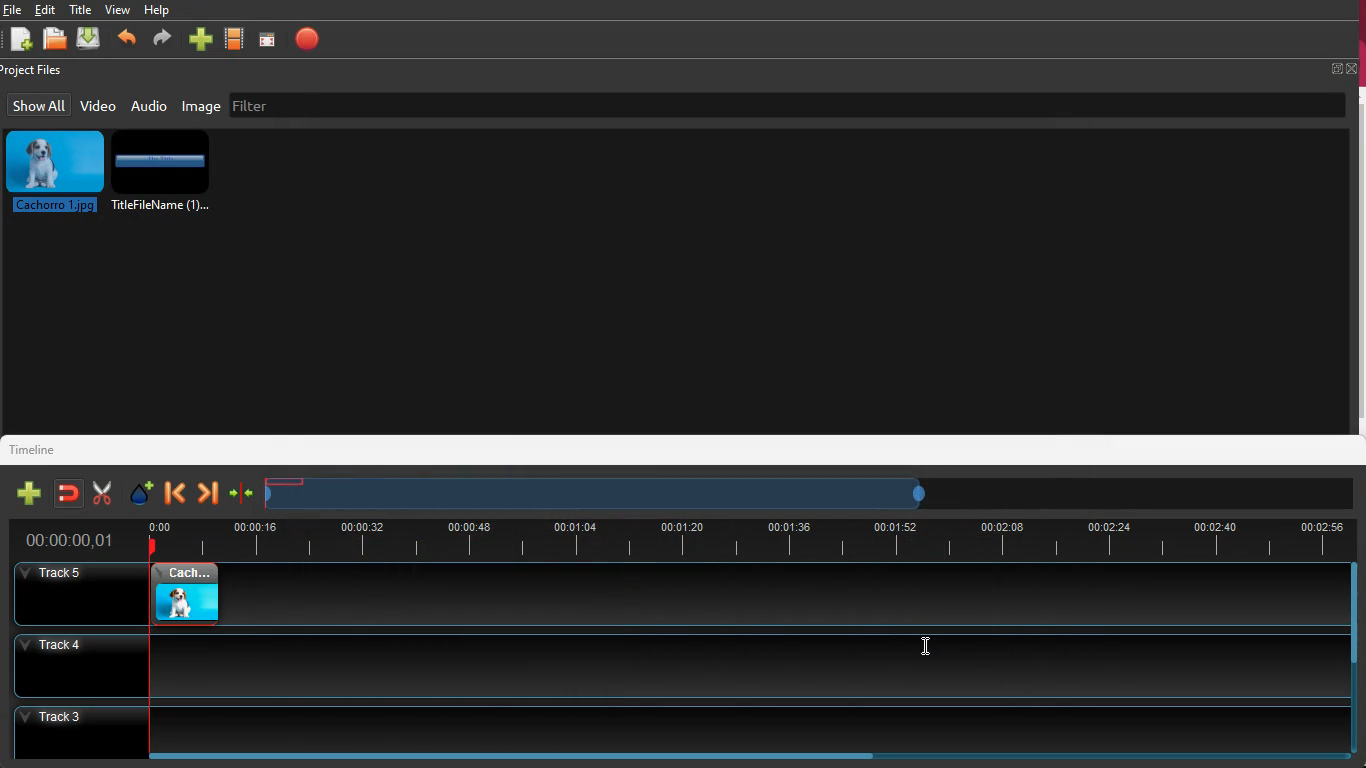 The image size is (1366, 768). Describe the element at coordinates (126, 41) in the screenshot. I see `back` at that location.